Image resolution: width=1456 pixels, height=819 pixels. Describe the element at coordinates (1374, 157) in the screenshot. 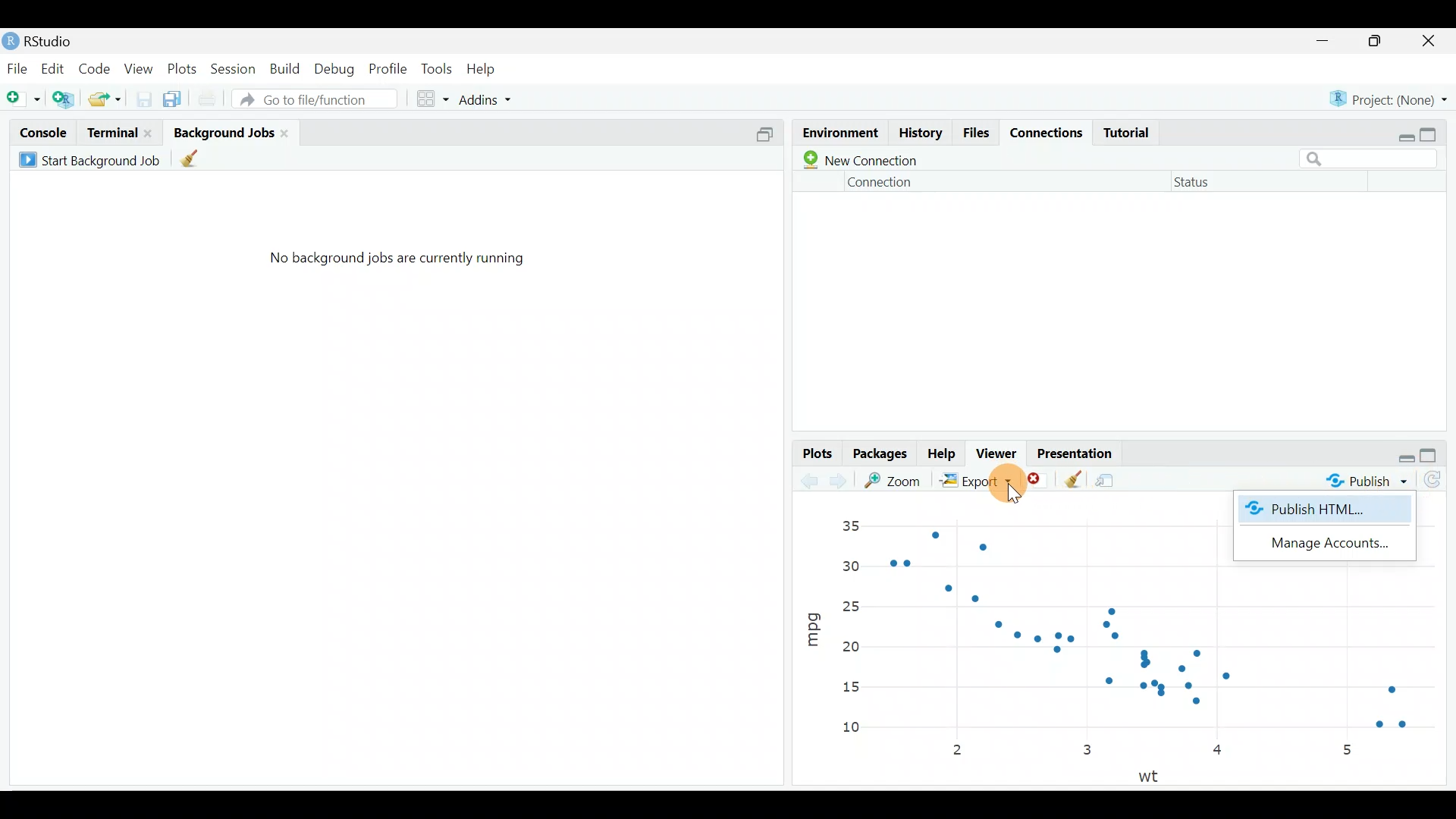

I see `Search bar` at that location.